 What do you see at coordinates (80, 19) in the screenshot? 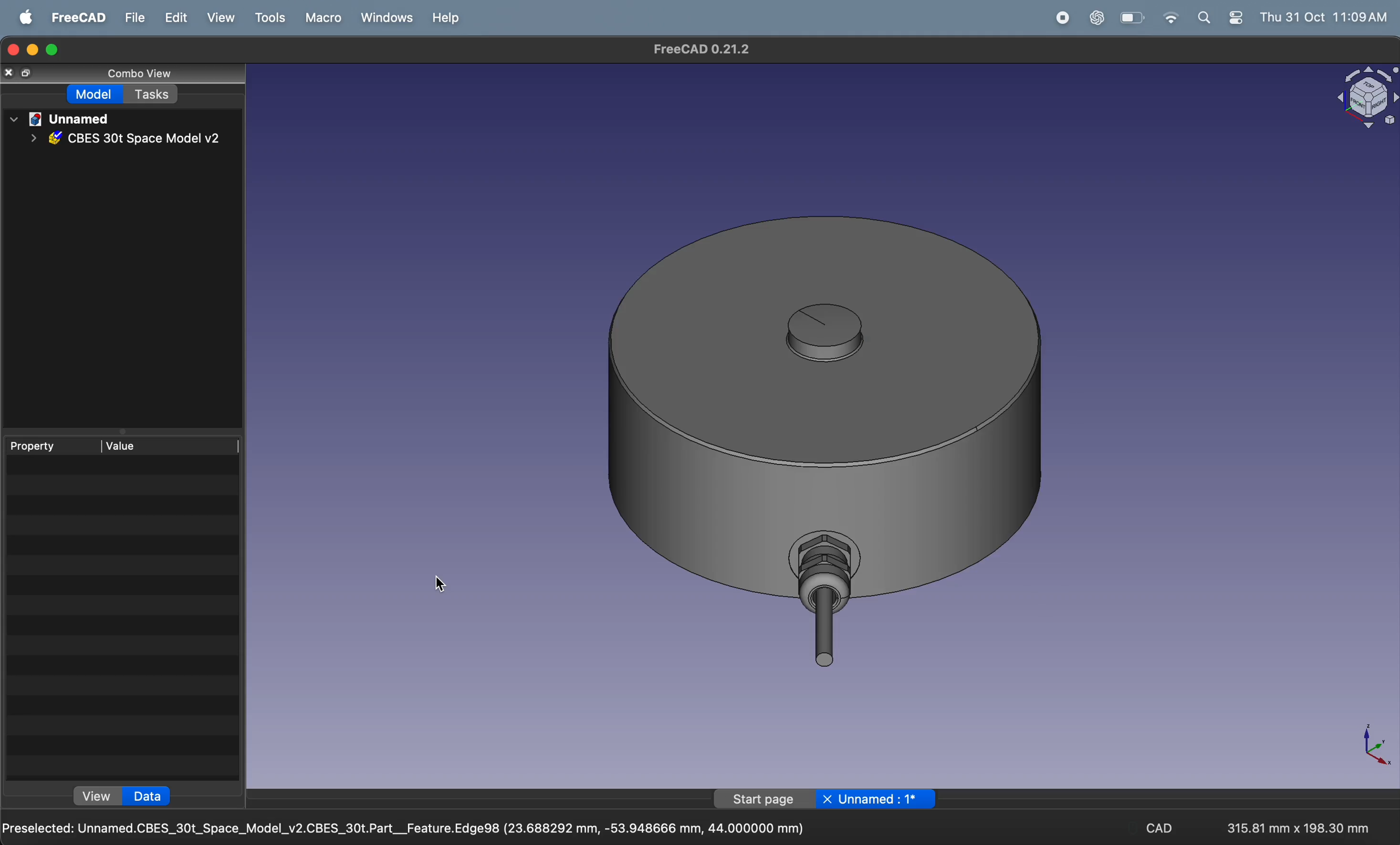
I see `freecad` at bounding box center [80, 19].